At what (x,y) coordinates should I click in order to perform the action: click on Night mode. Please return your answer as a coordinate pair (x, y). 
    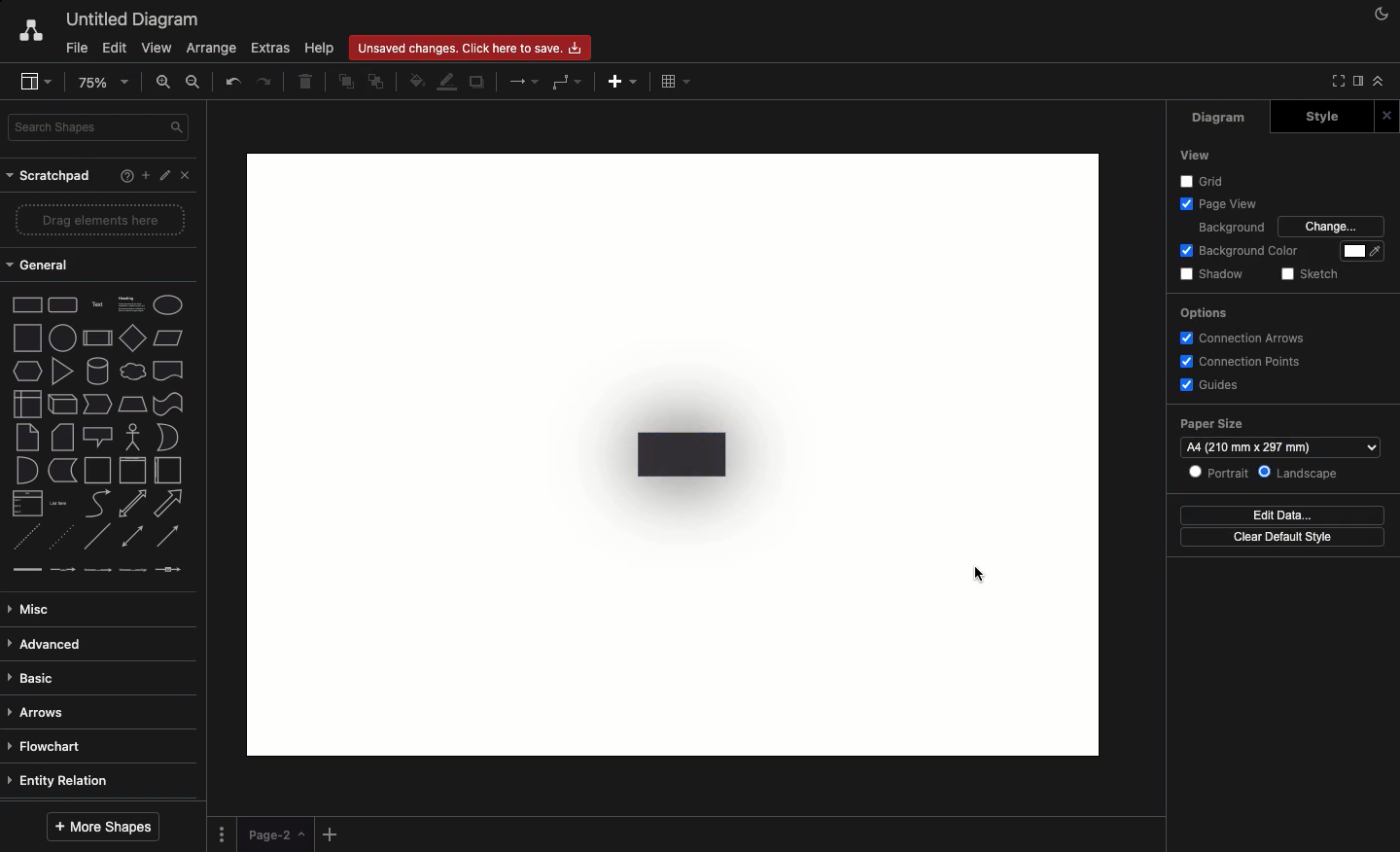
    Looking at the image, I should click on (1380, 13).